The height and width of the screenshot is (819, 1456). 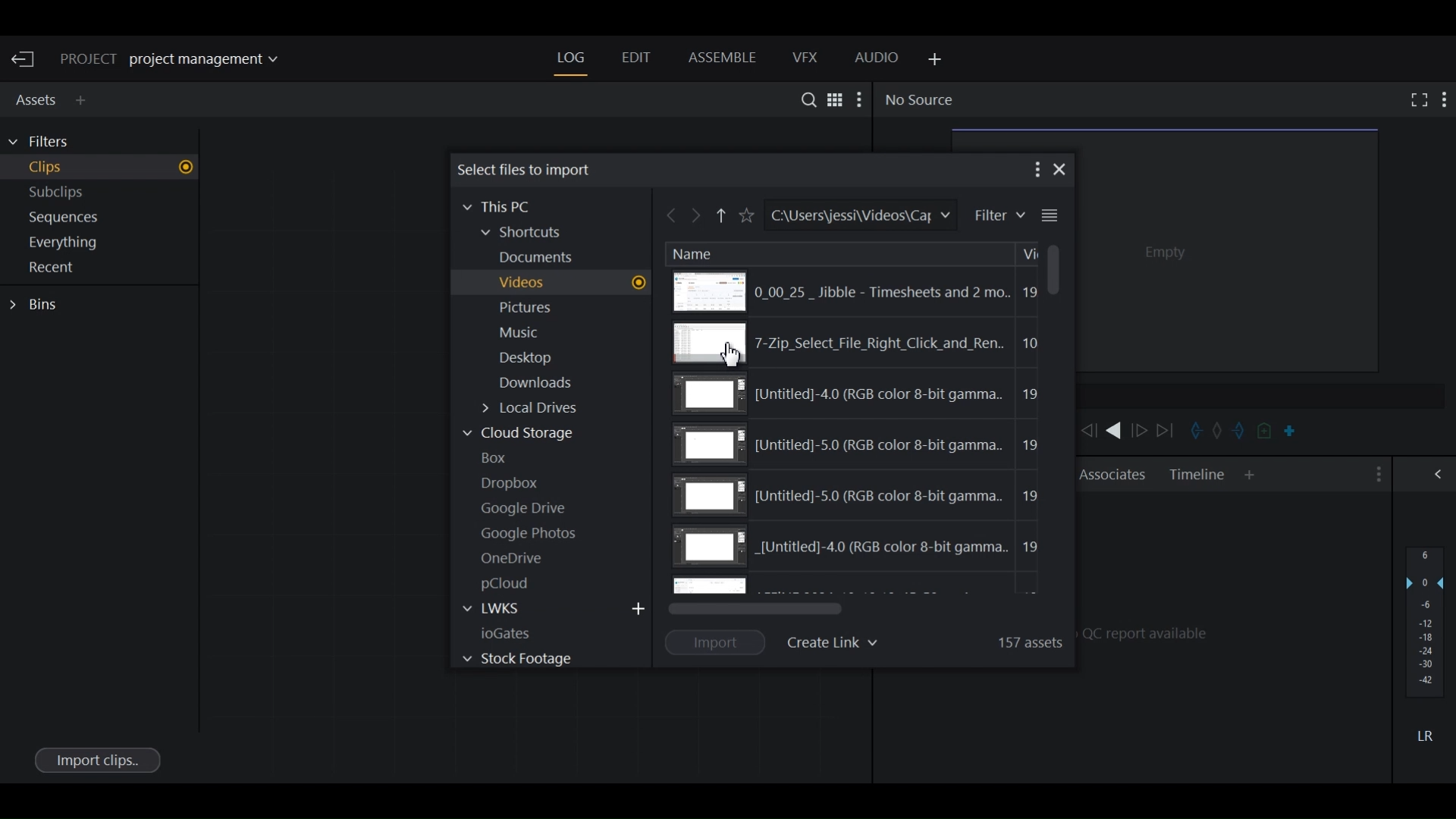 What do you see at coordinates (1217, 432) in the screenshot?
I see `Clear marks` at bounding box center [1217, 432].